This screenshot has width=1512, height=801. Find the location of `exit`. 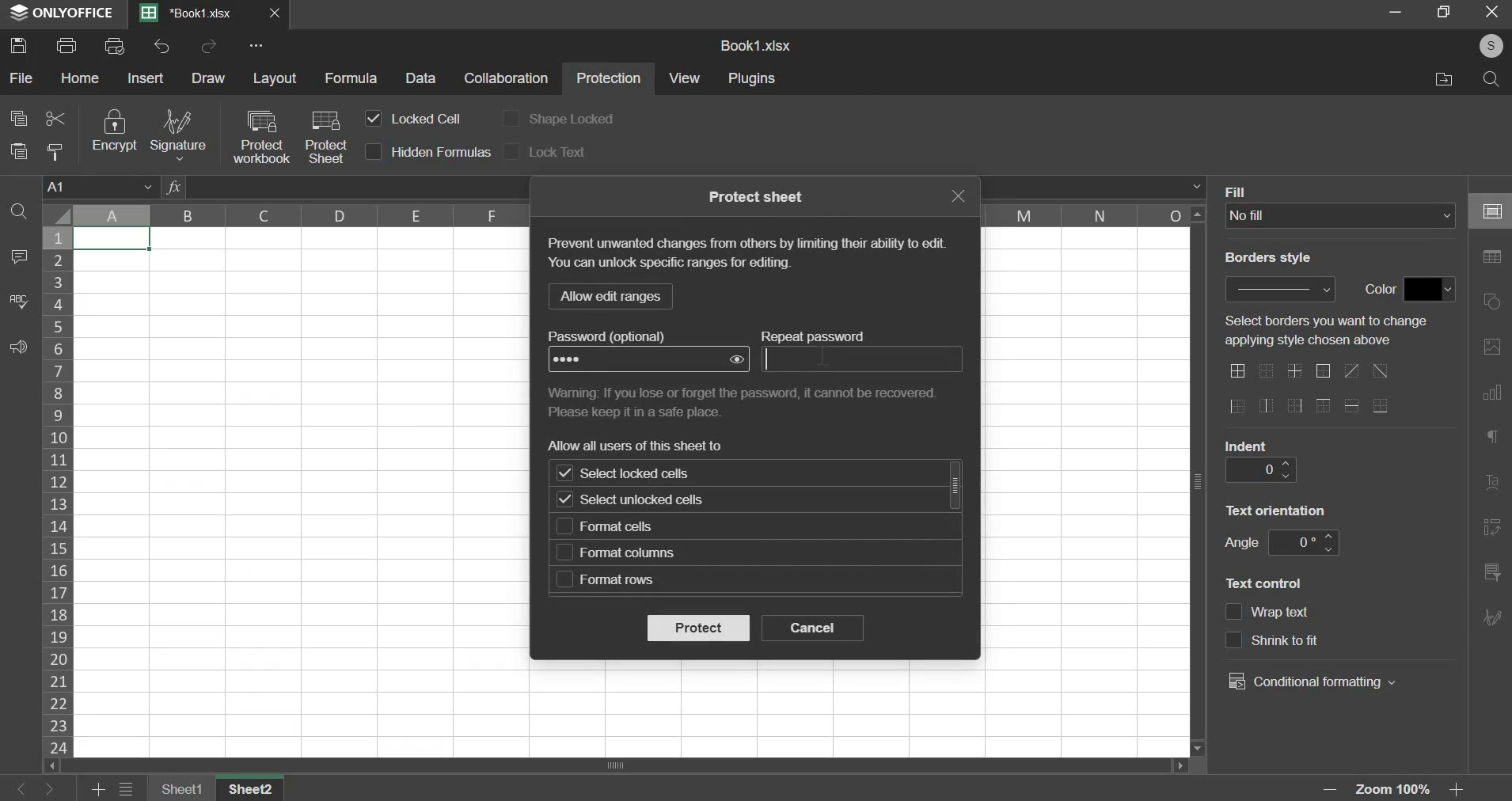

exit is located at coordinates (957, 196).